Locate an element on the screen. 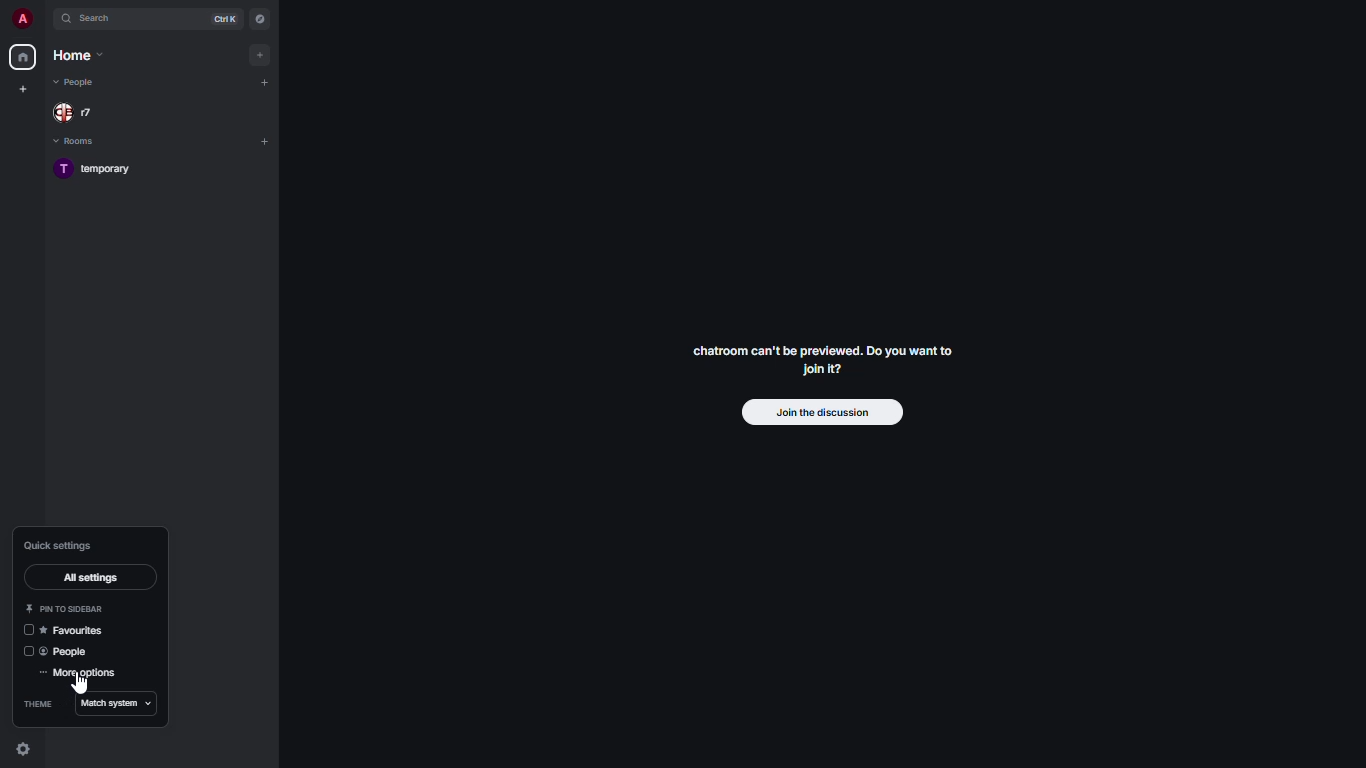 Image resolution: width=1366 pixels, height=768 pixels. home is located at coordinates (22, 57).